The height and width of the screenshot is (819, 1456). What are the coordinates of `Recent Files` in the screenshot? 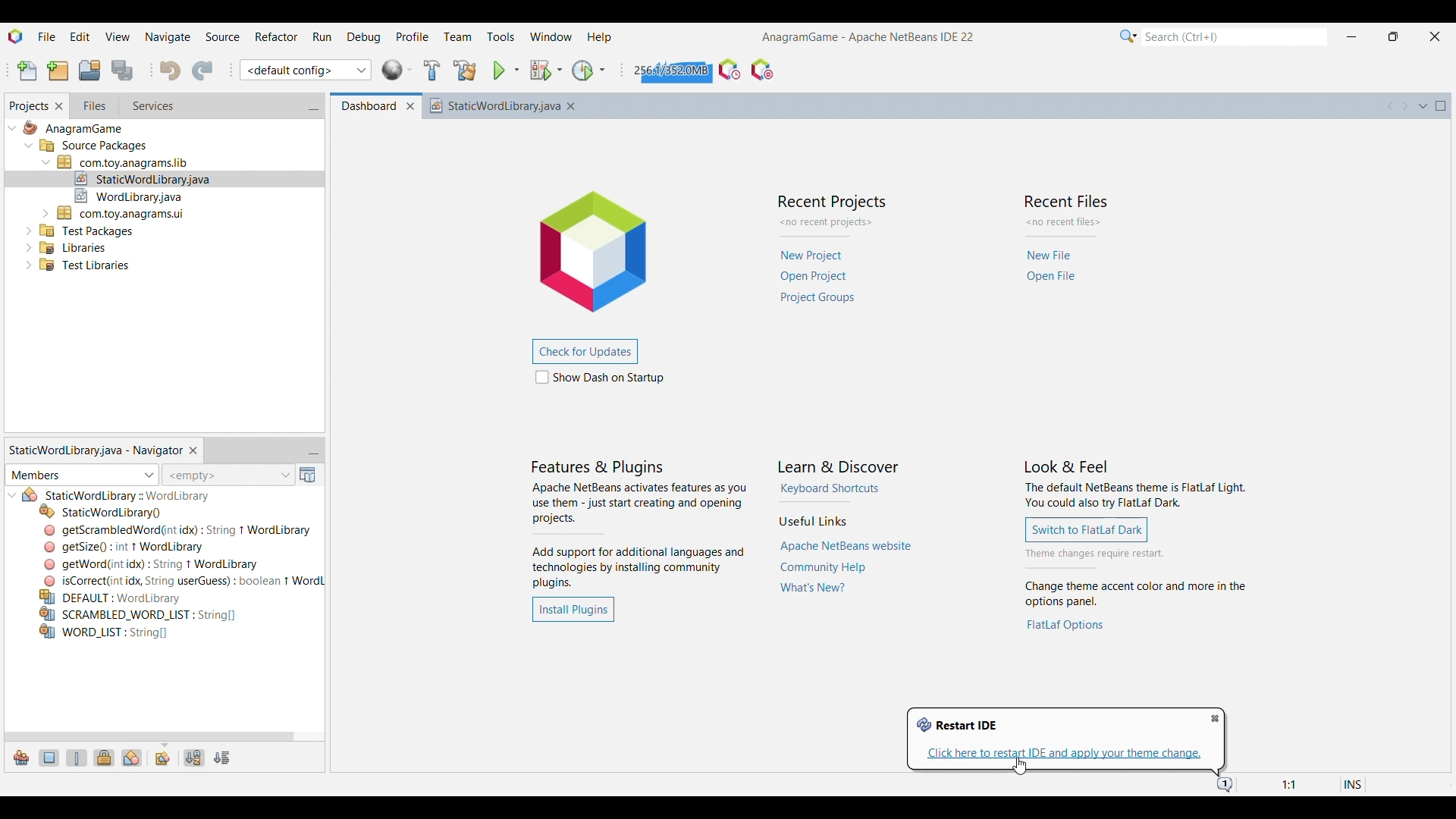 It's located at (1068, 199).